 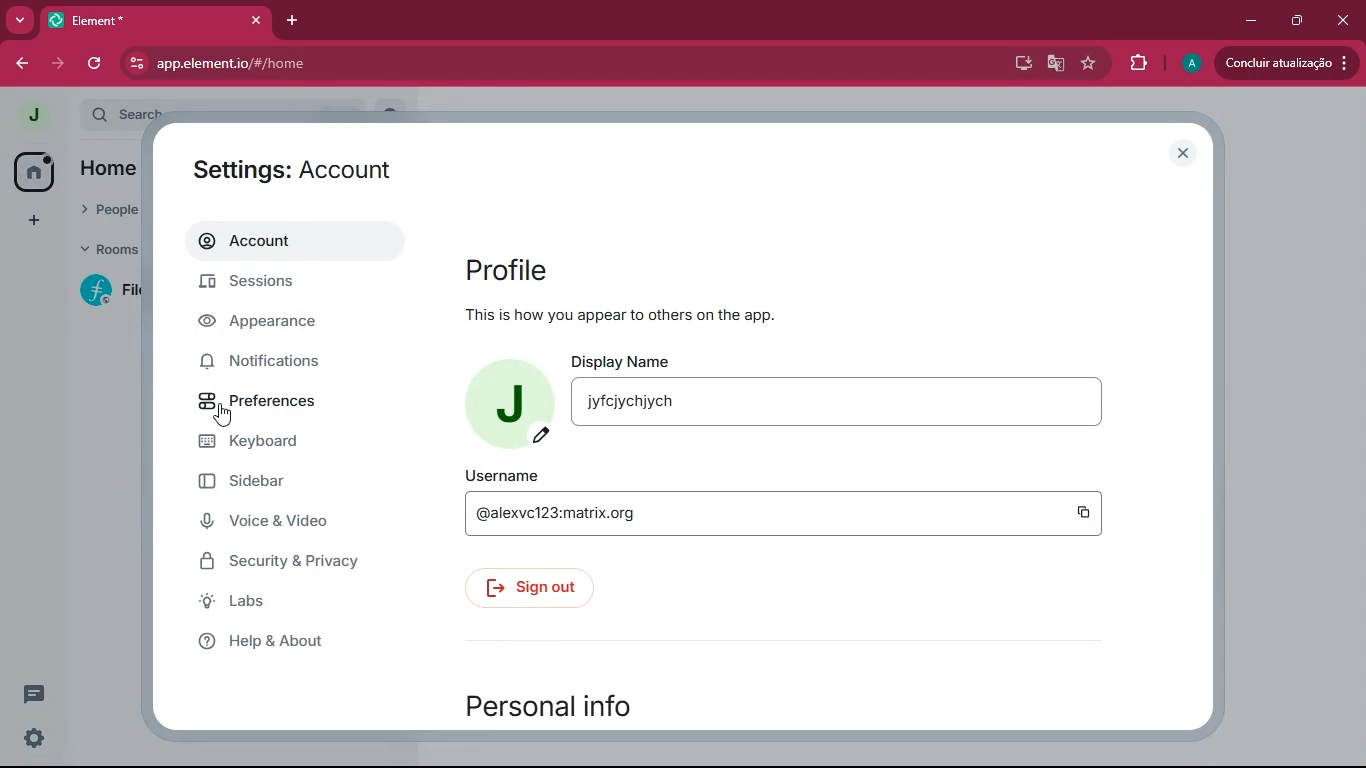 What do you see at coordinates (32, 115) in the screenshot?
I see `profile picture` at bounding box center [32, 115].